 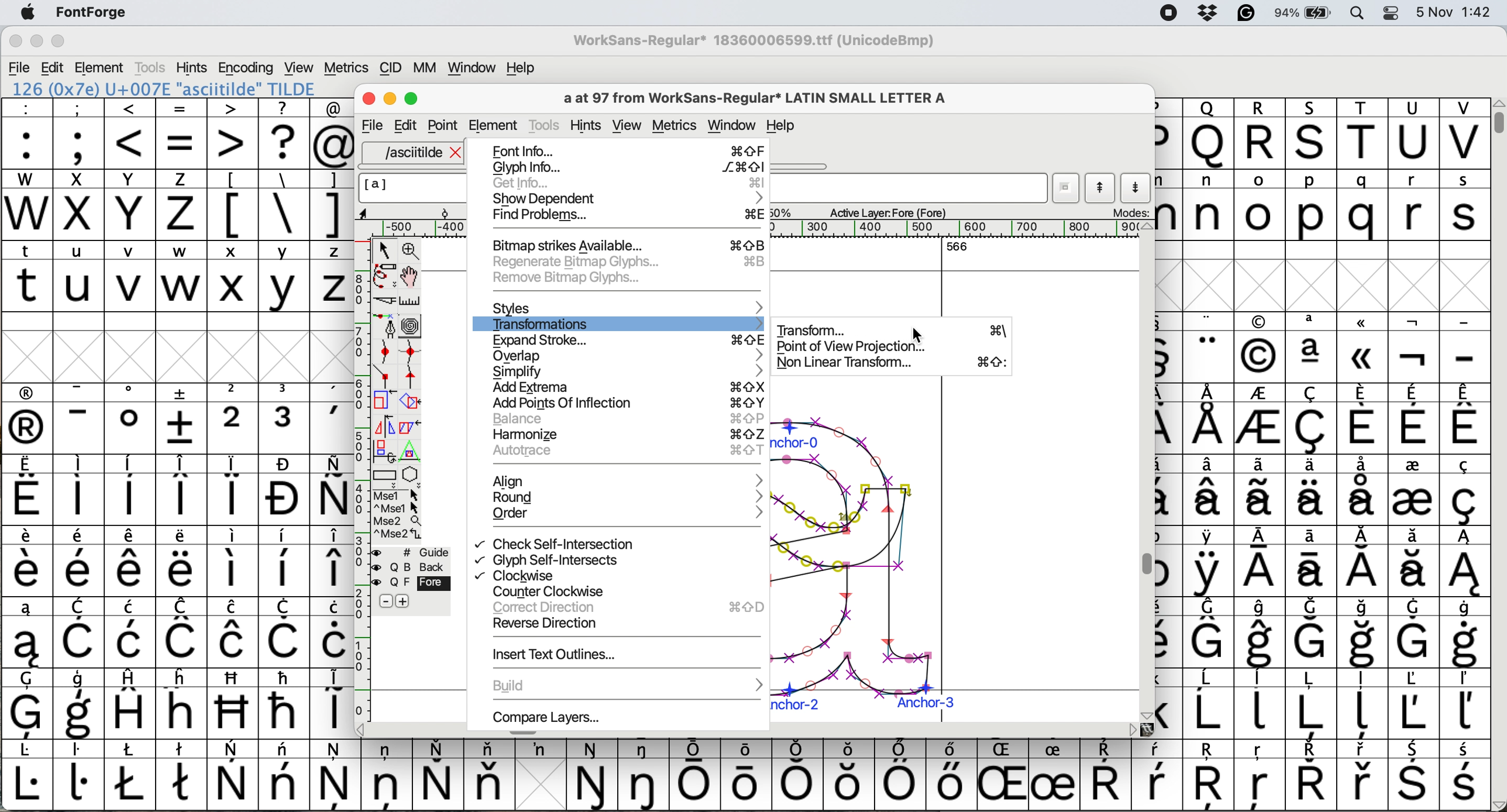 I want to click on add a tangent point, so click(x=413, y=376).